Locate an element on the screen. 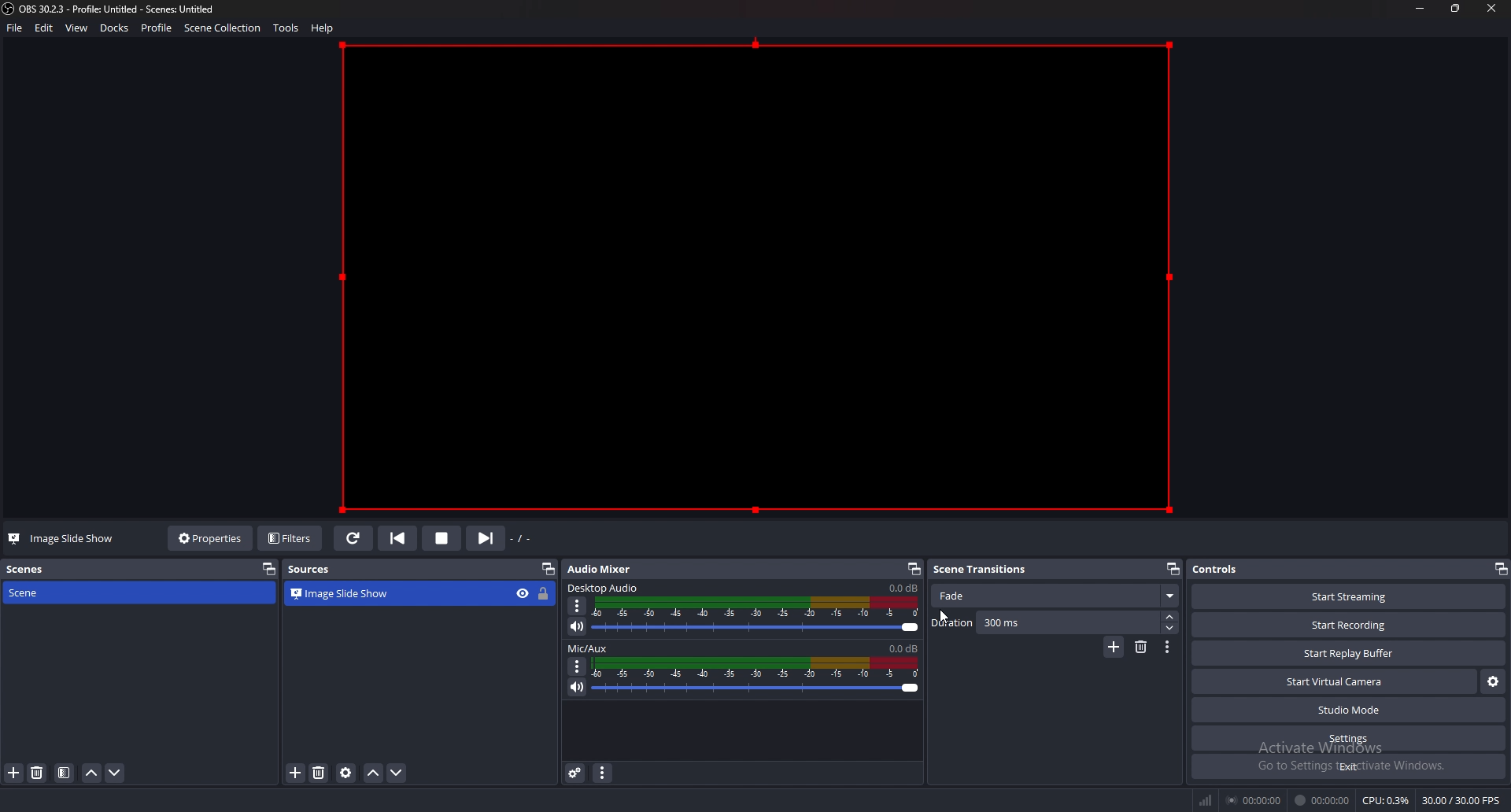  controls is located at coordinates (1225, 570).